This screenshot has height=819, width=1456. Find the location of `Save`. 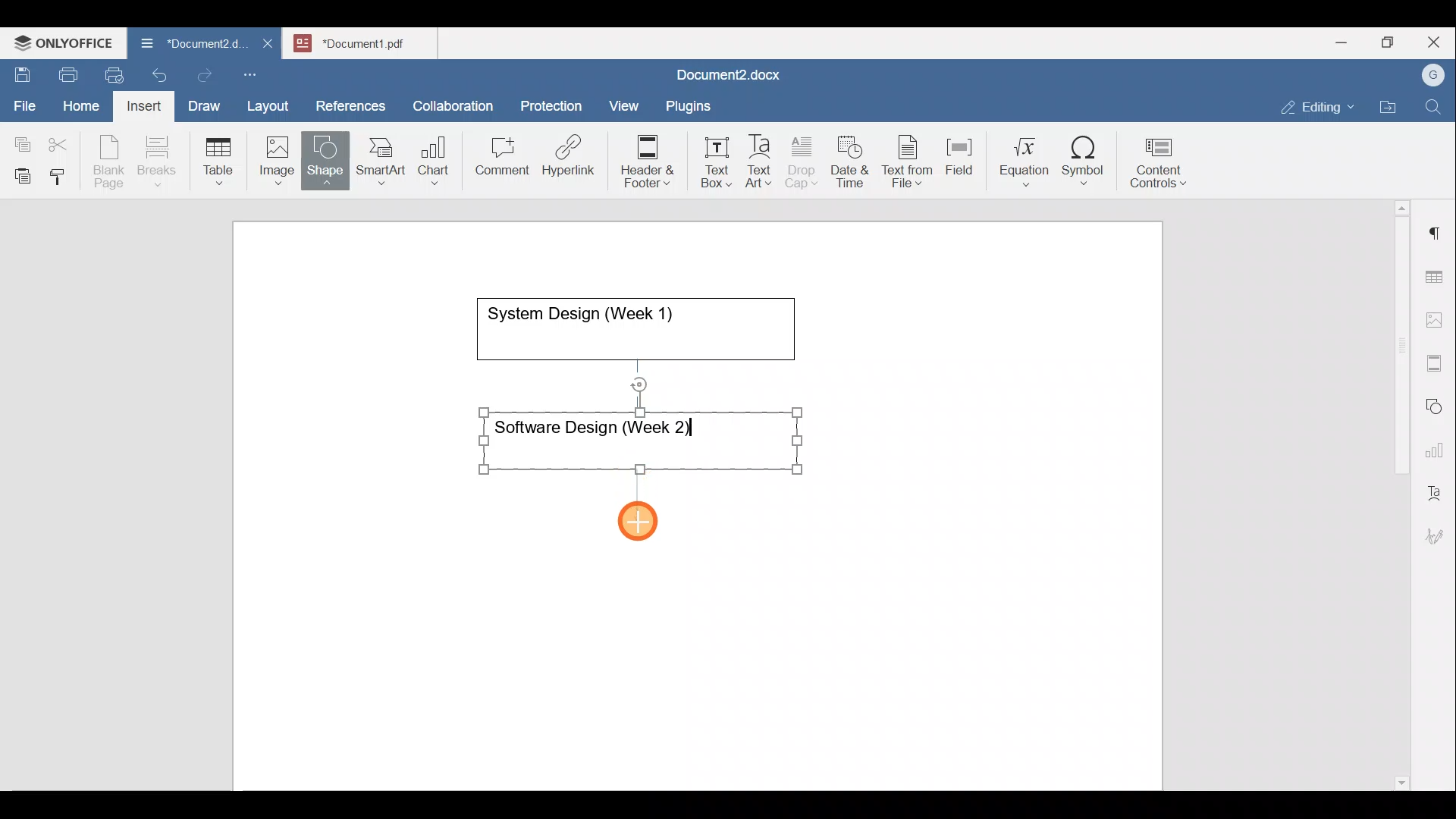

Save is located at coordinates (21, 71).